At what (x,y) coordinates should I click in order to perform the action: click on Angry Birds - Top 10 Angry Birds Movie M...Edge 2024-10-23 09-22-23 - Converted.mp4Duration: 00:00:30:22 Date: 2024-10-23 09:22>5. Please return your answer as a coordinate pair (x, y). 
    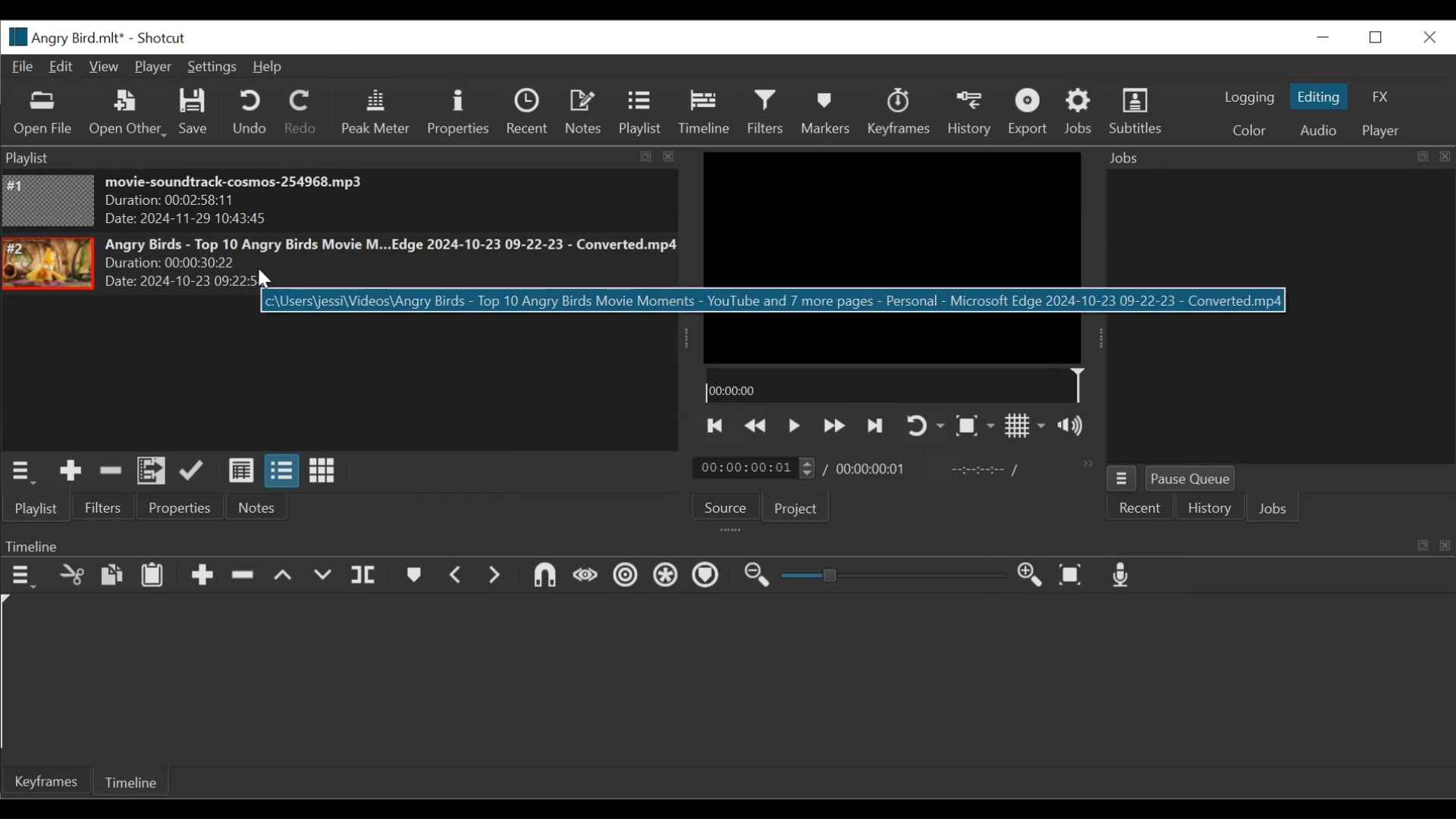
    Looking at the image, I should click on (390, 262).